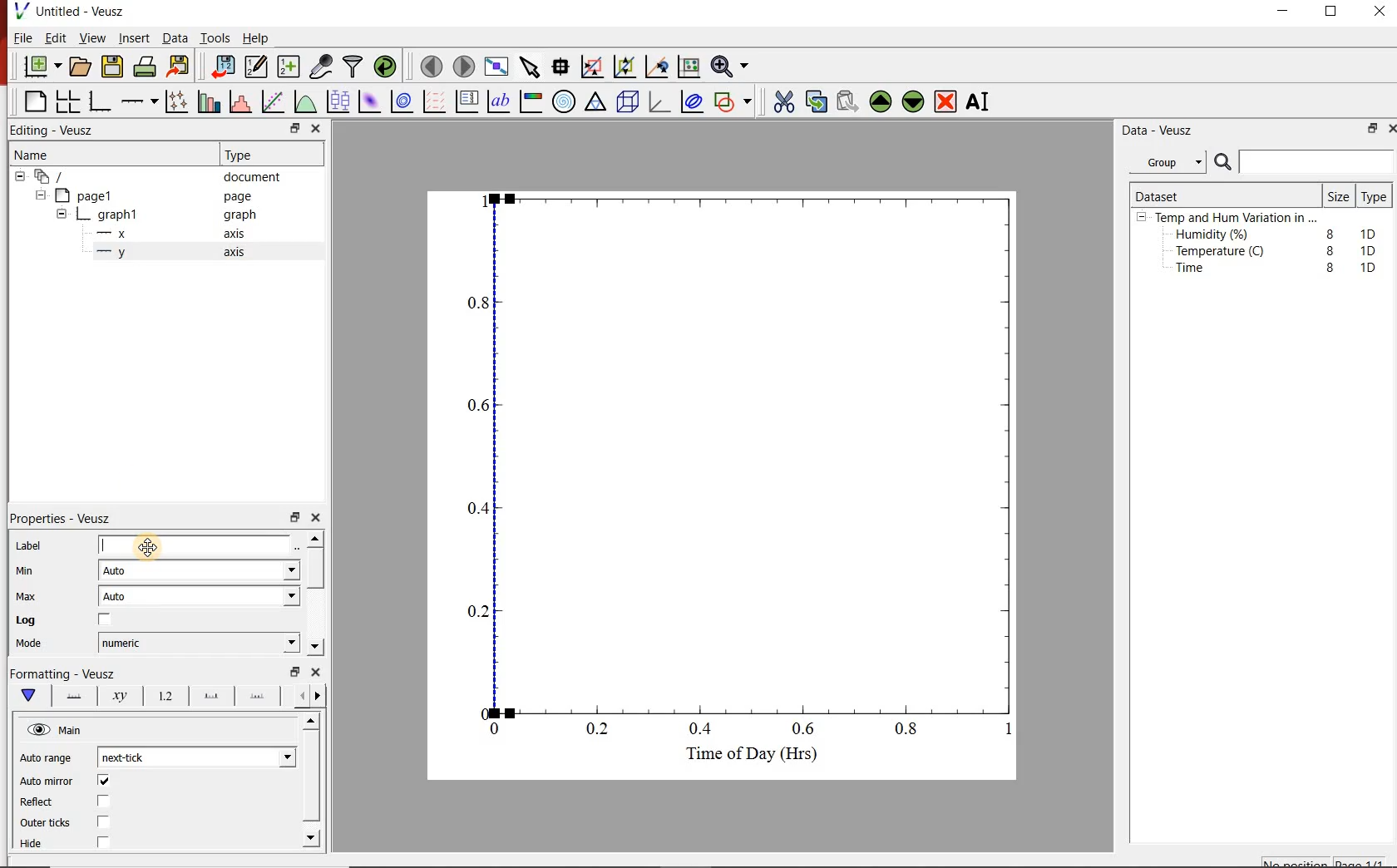  I want to click on import data into Veusz, so click(222, 65).